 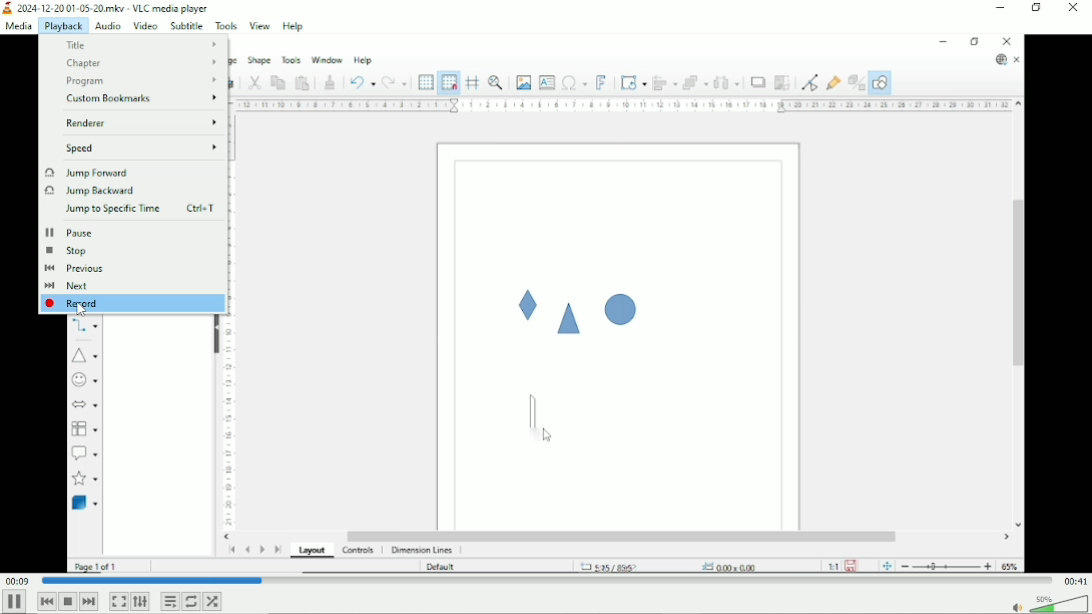 What do you see at coordinates (1076, 580) in the screenshot?
I see `Total duration` at bounding box center [1076, 580].